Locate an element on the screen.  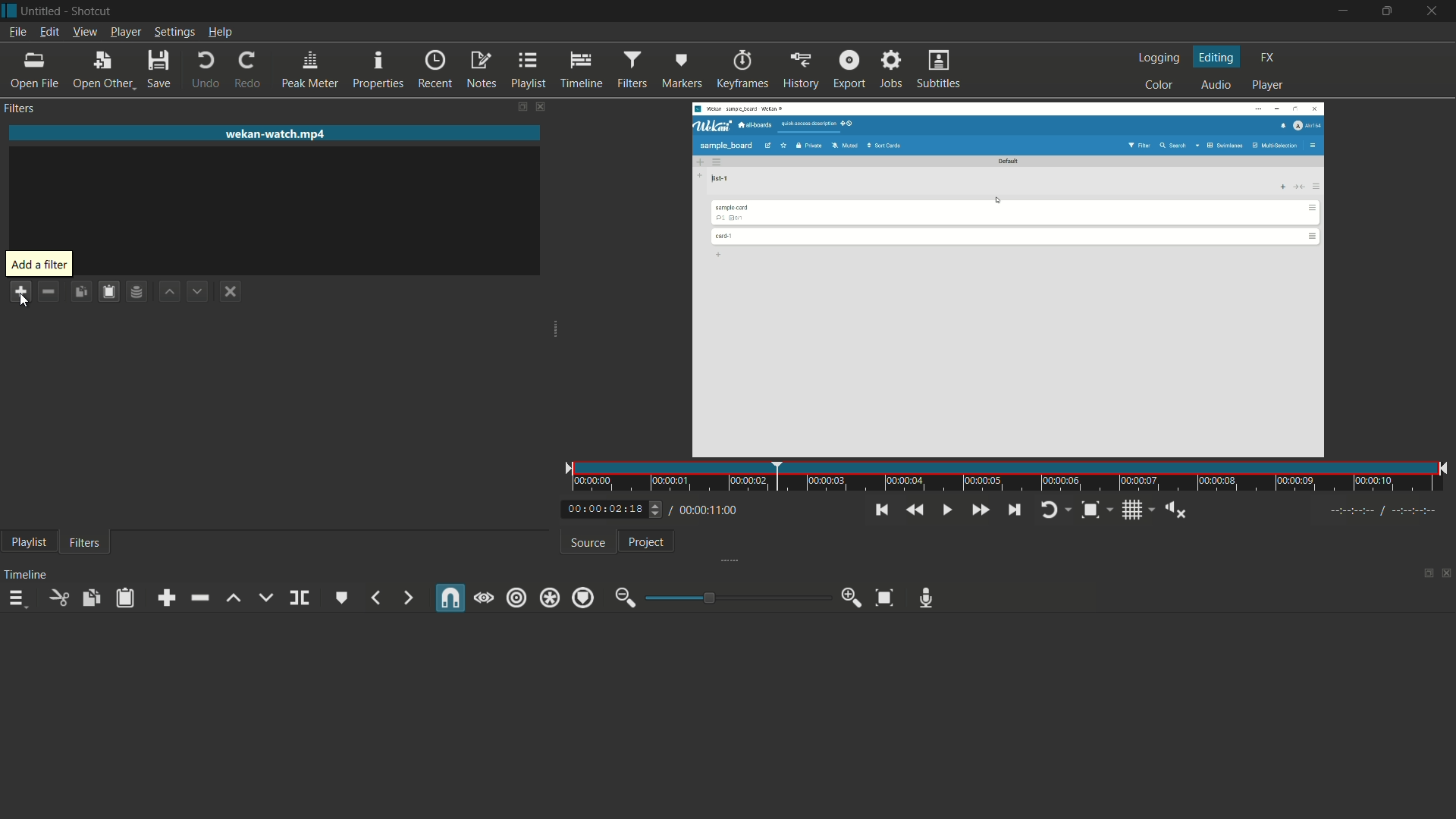
jobs is located at coordinates (890, 70).